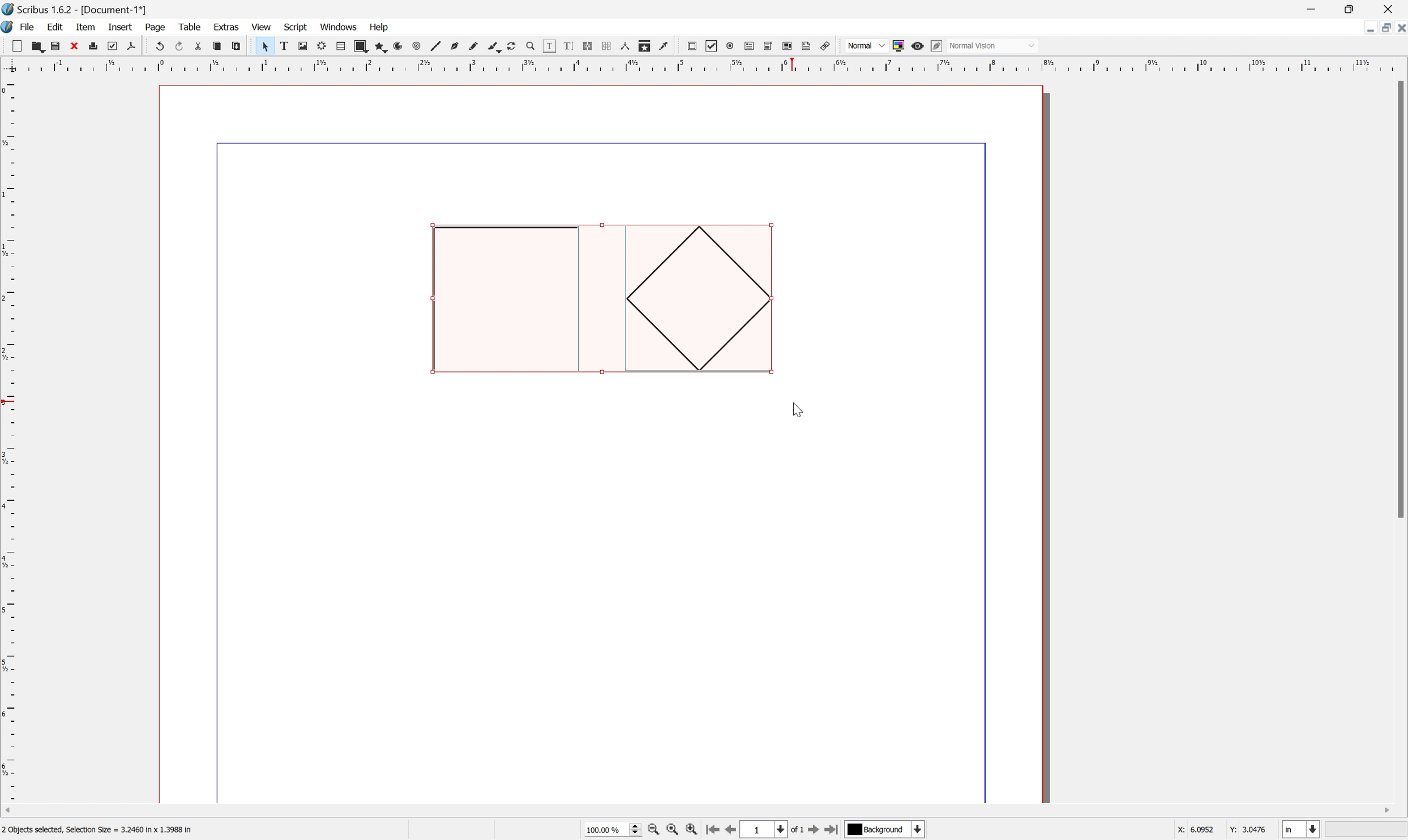 The height and width of the screenshot is (840, 1408). I want to click on preflight verifier, so click(110, 42).